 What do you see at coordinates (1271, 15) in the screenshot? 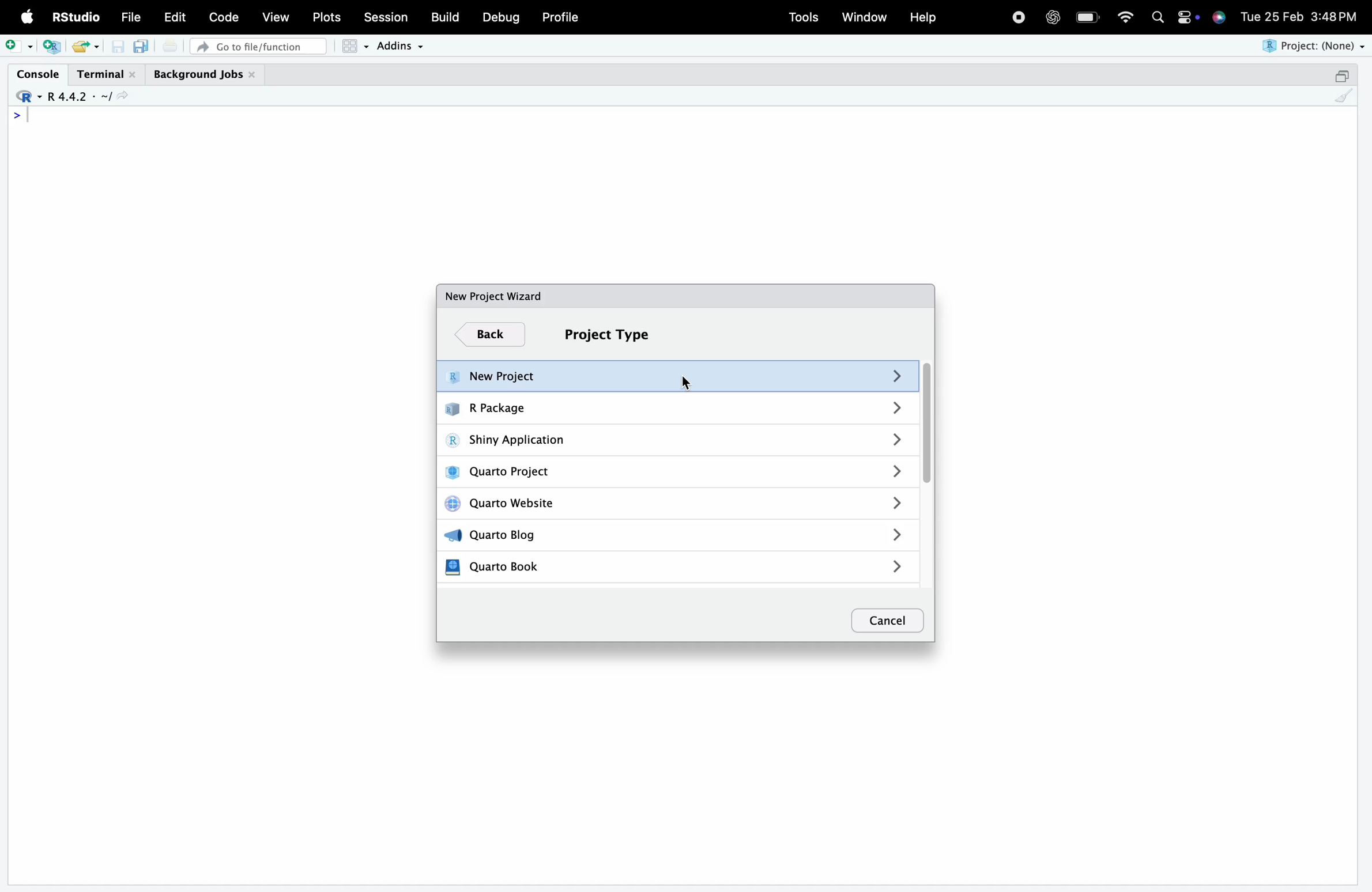
I see `Tue 25 Feb` at bounding box center [1271, 15].